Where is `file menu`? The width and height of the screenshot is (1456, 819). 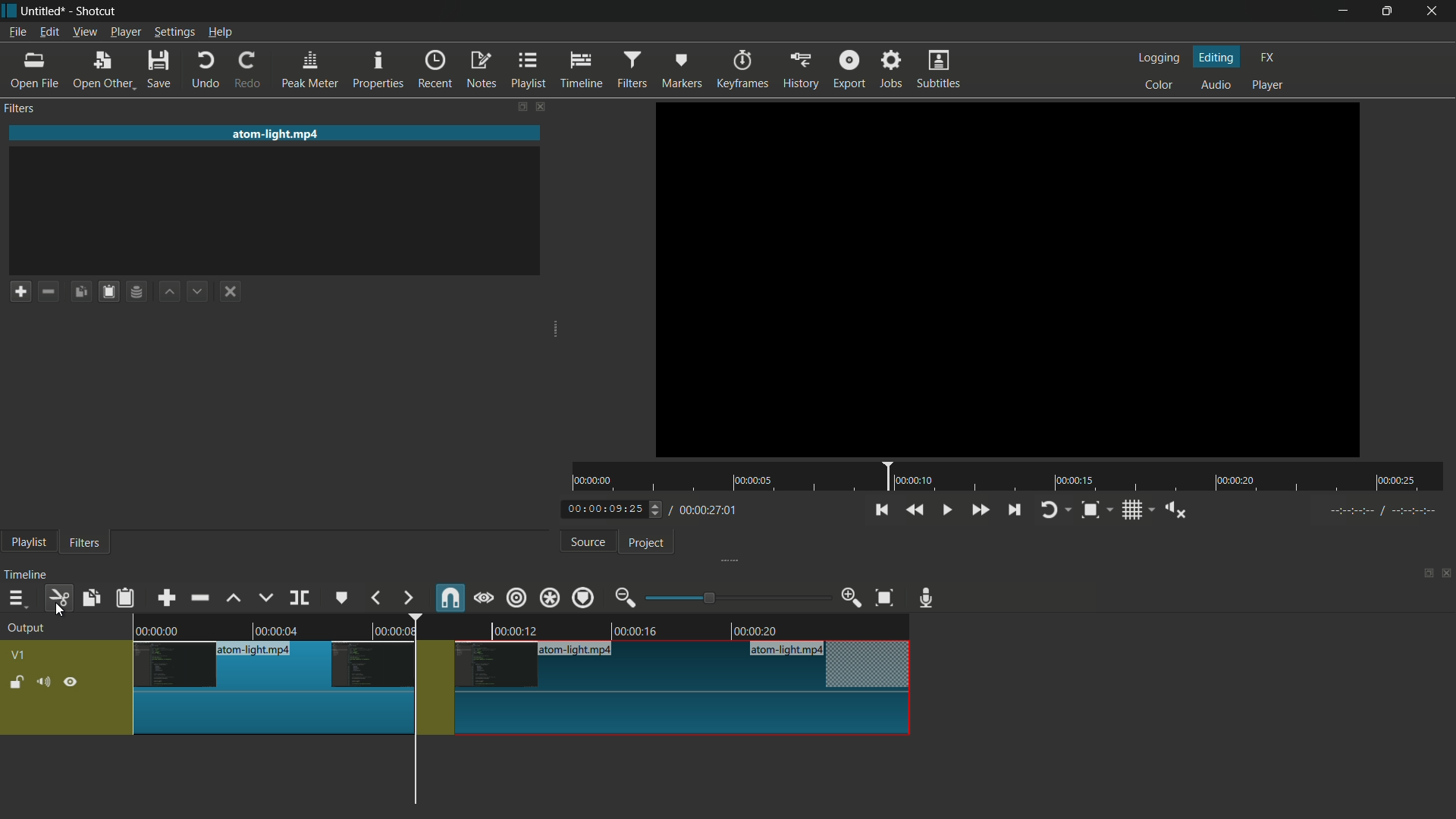
file menu is located at coordinates (17, 33).